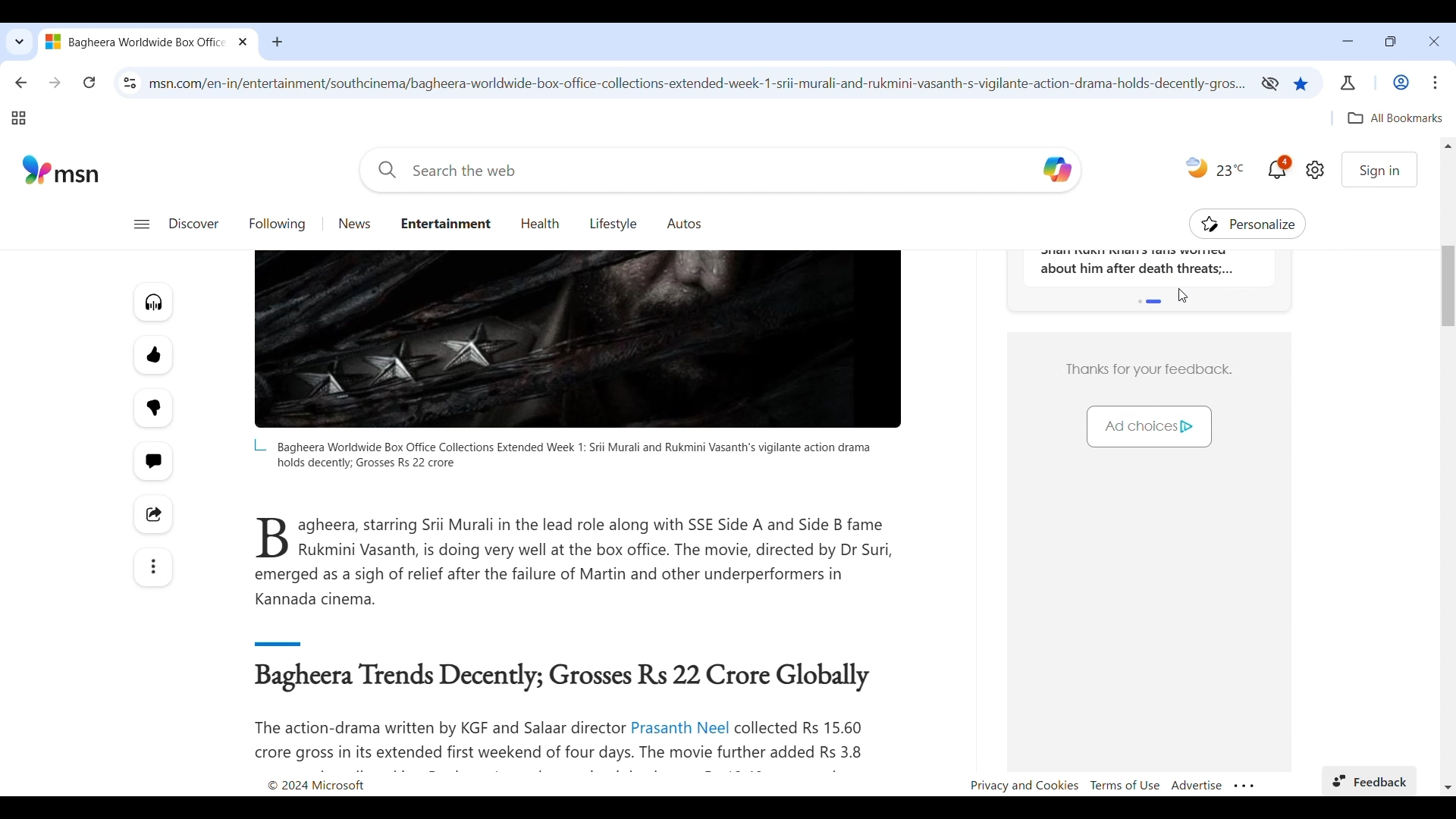 The width and height of the screenshot is (1456, 819). What do you see at coordinates (1142, 428) in the screenshot?
I see `Ad choices ` at bounding box center [1142, 428].